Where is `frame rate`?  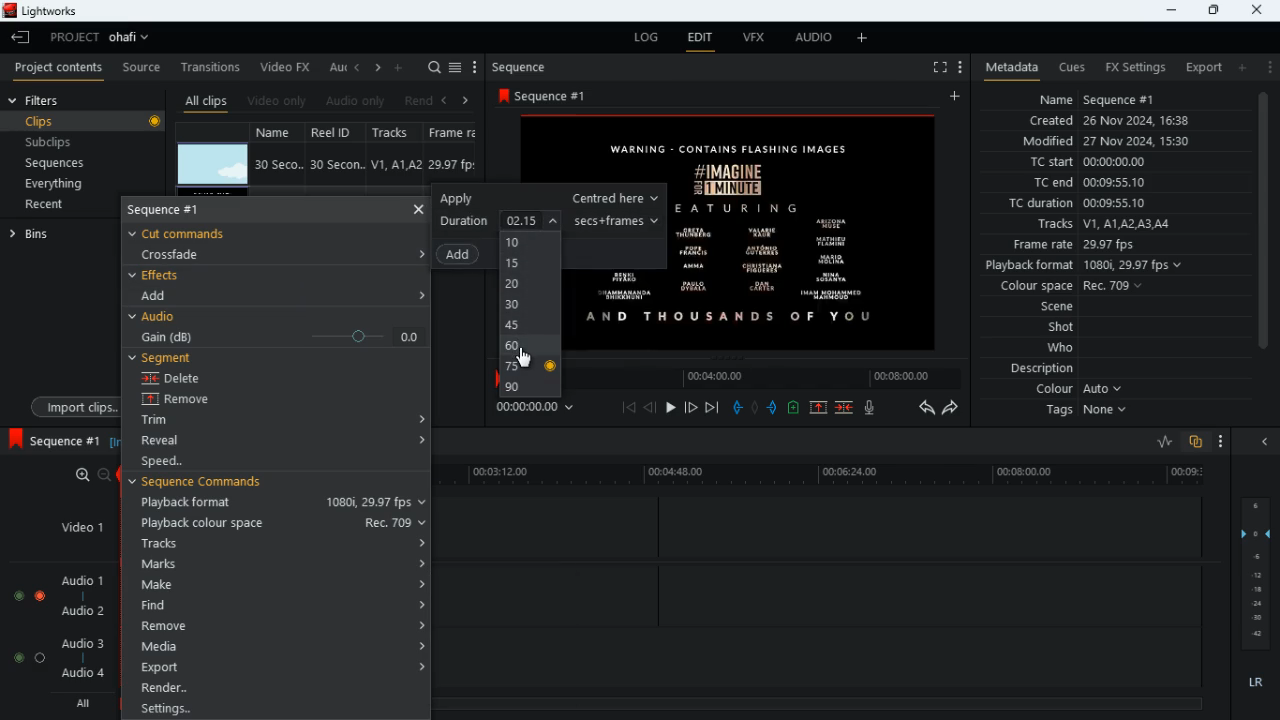
frame rate is located at coordinates (1104, 245).